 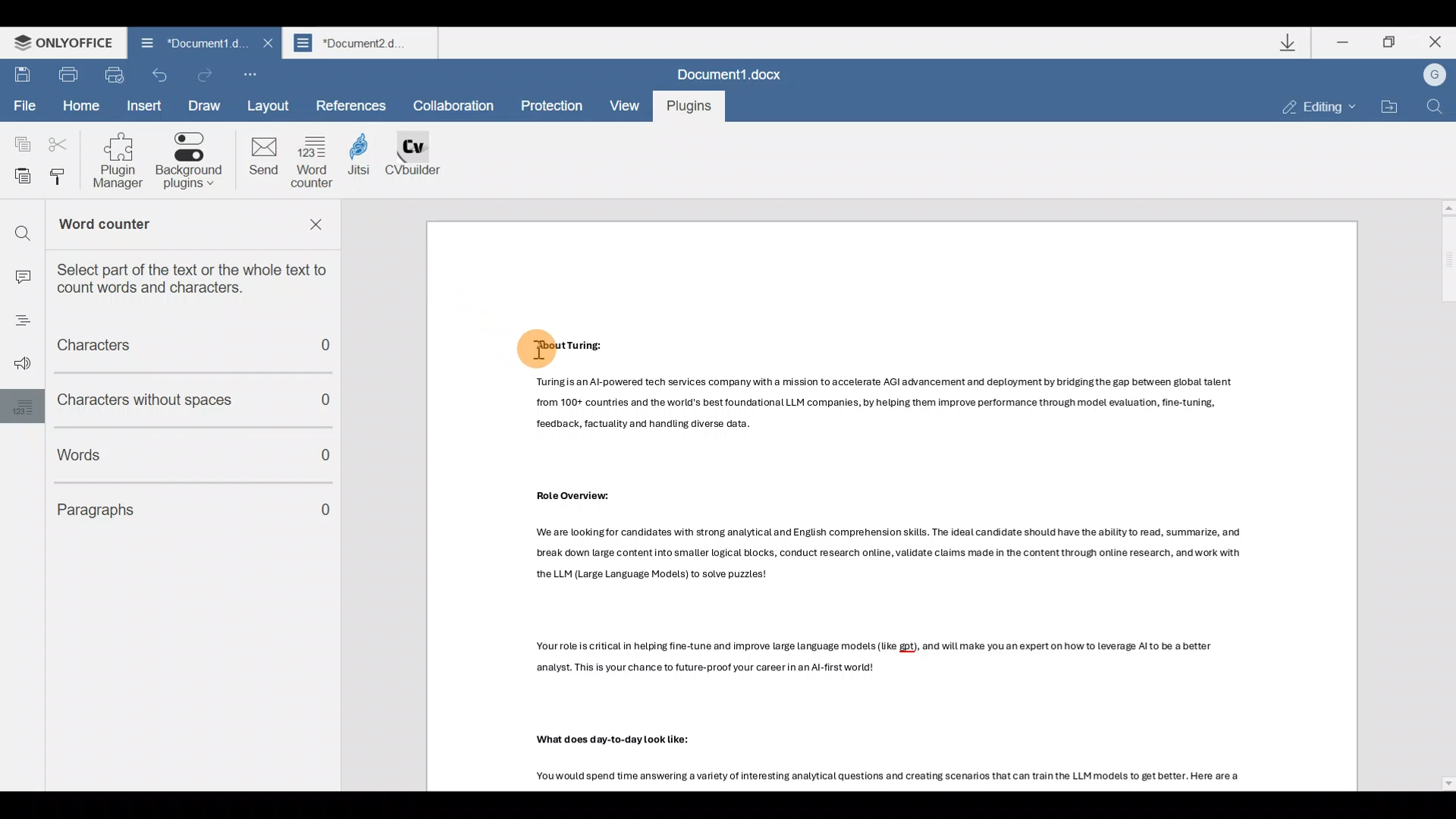 What do you see at coordinates (335, 350) in the screenshot?
I see `0` at bounding box center [335, 350].